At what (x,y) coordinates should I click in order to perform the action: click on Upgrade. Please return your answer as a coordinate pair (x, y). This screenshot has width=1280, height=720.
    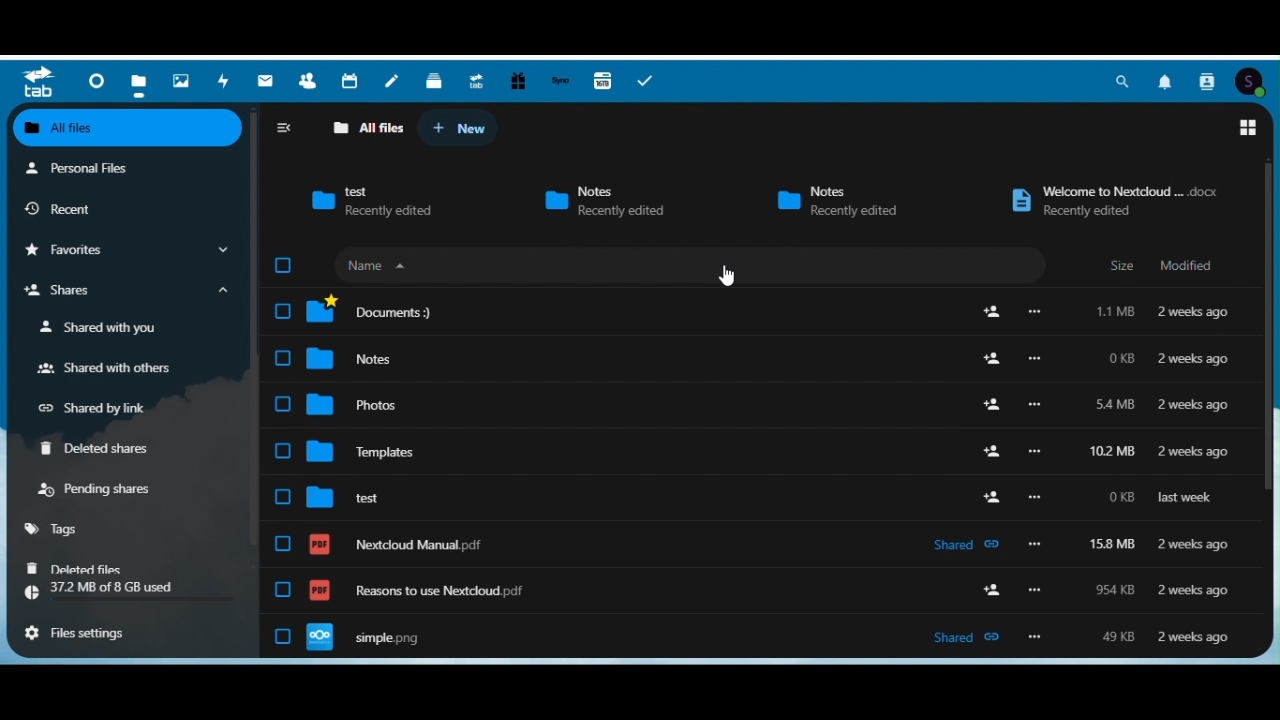
    Looking at the image, I should click on (474, 79).